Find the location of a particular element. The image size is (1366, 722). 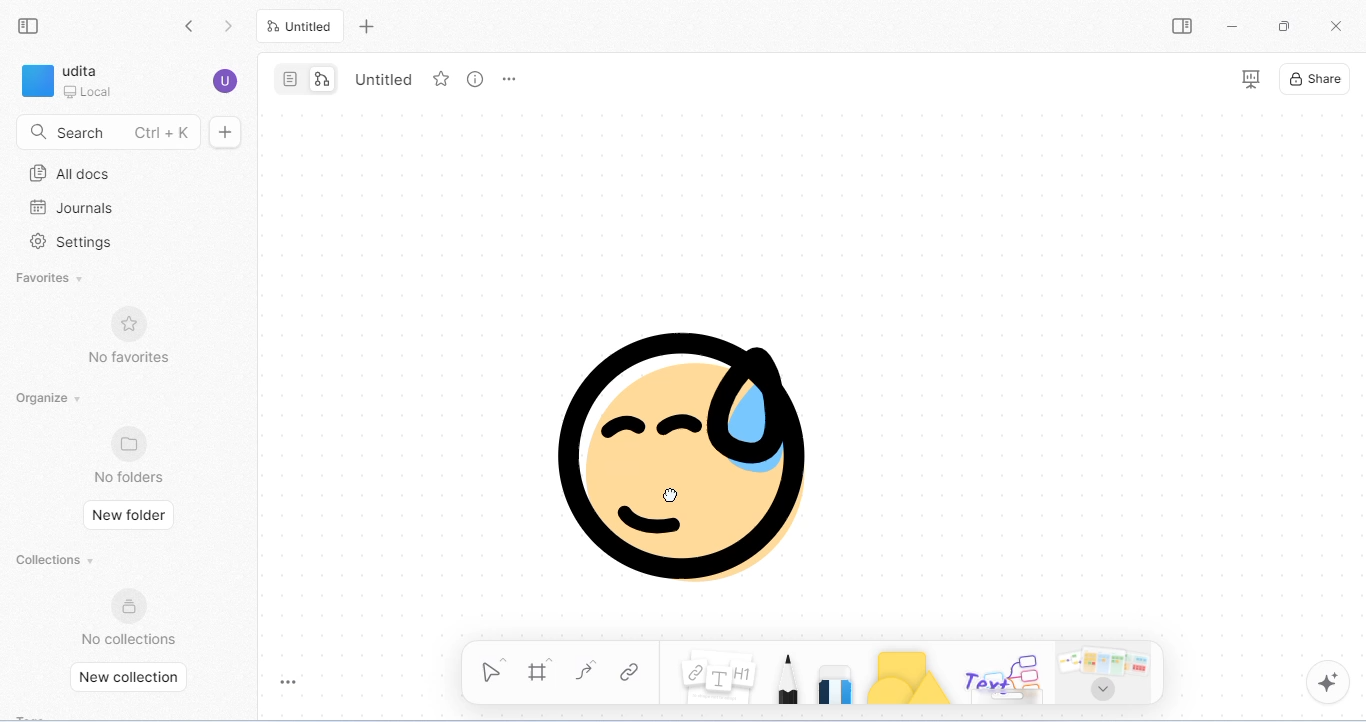

close is located at coordinates (1335, 24).